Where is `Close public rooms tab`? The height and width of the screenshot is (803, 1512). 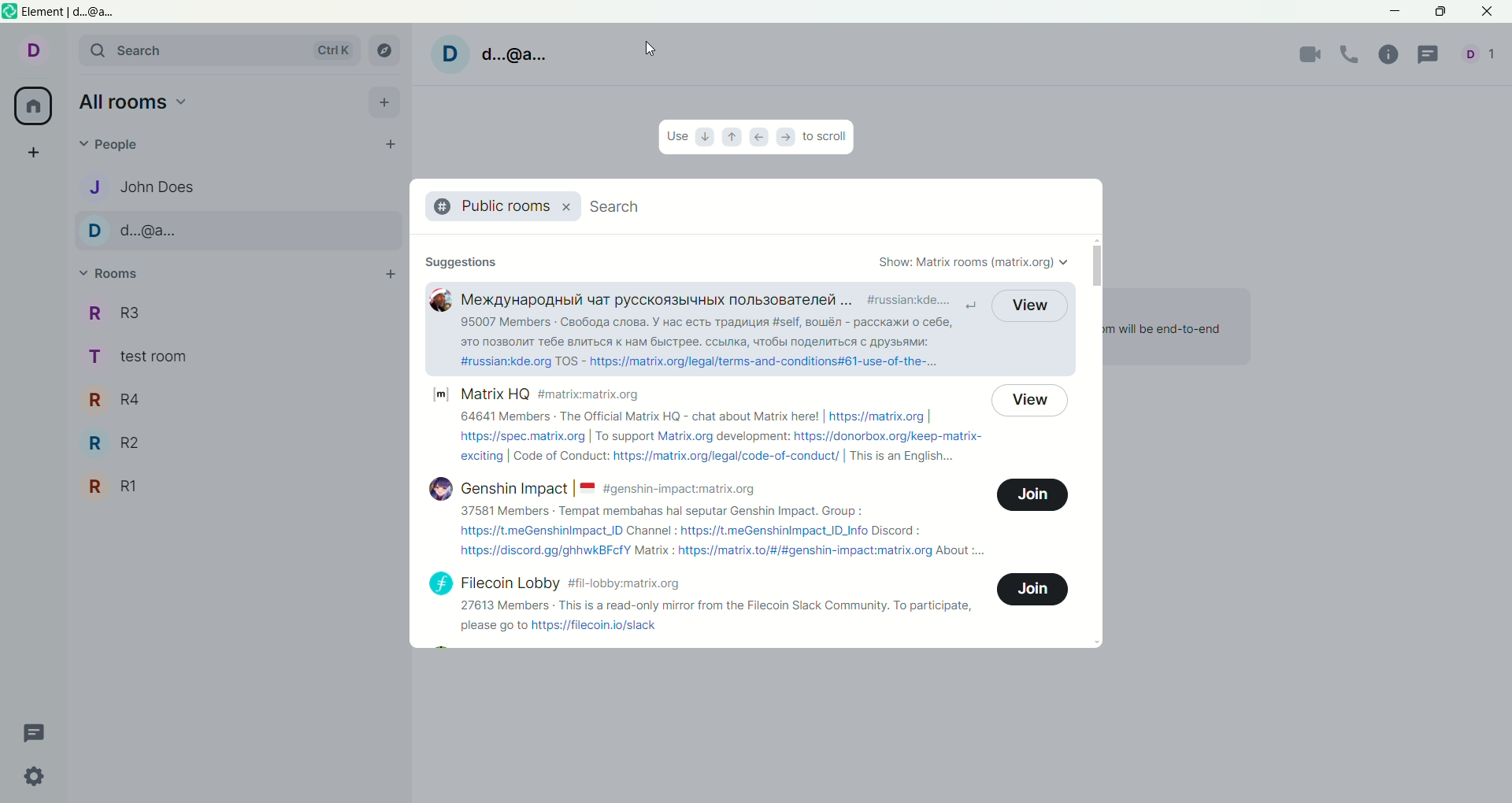 Close public rooms tab is located at coordinates (565, 207).